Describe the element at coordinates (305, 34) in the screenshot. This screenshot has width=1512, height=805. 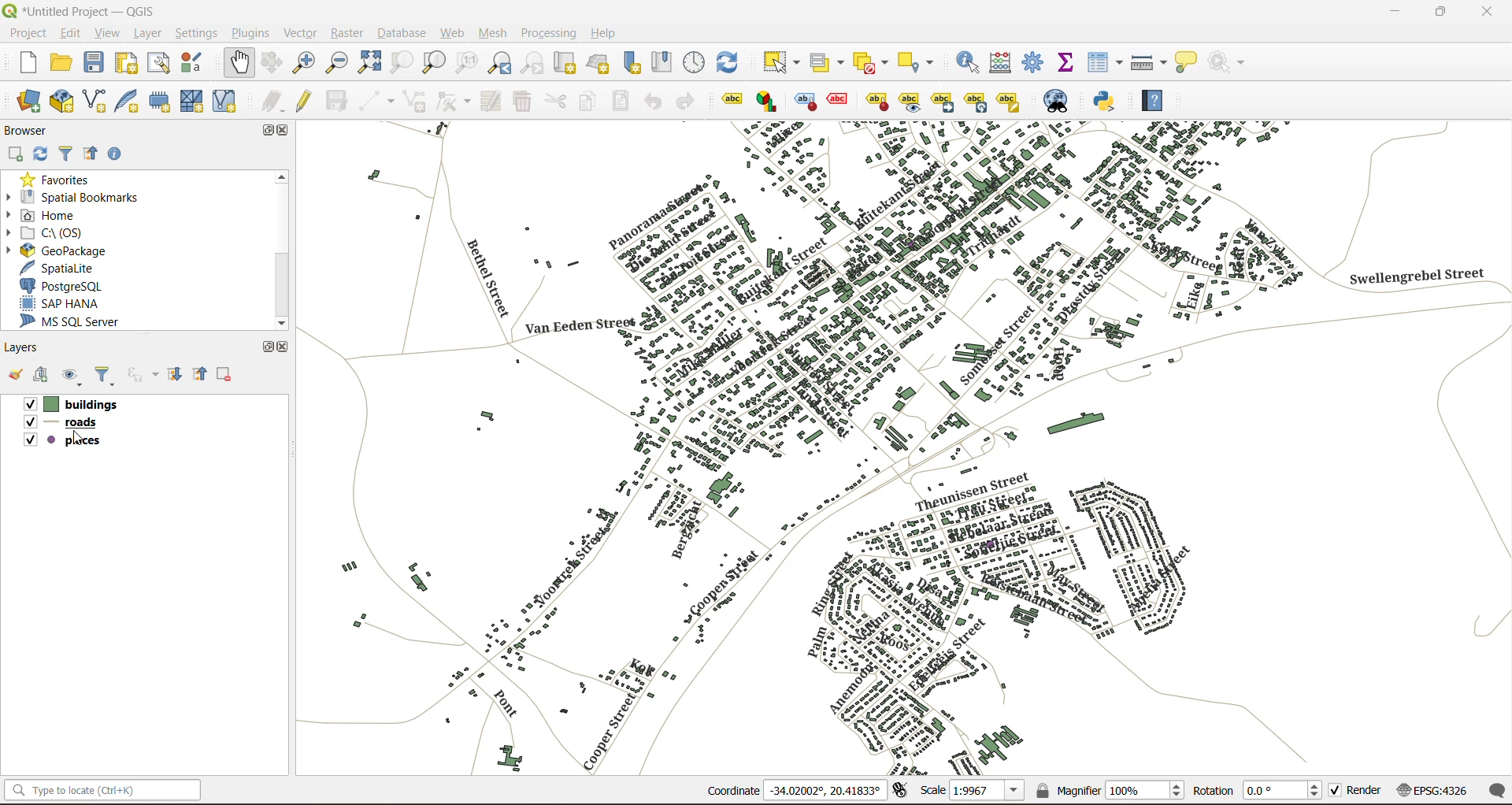
I see `vector` at that location.